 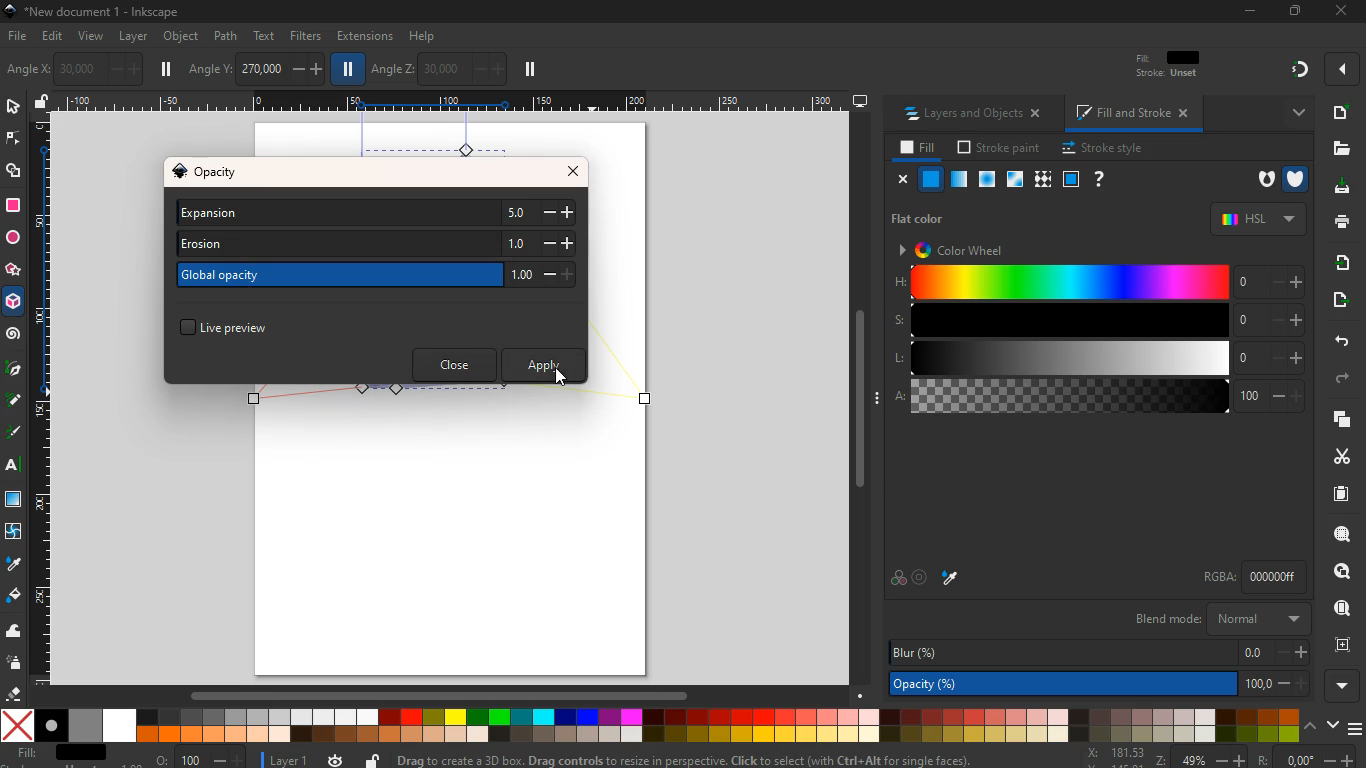 What do you see at coordinates (372, 758) in the screenshot?
I see `unlock` at bounding box center [372, 758].